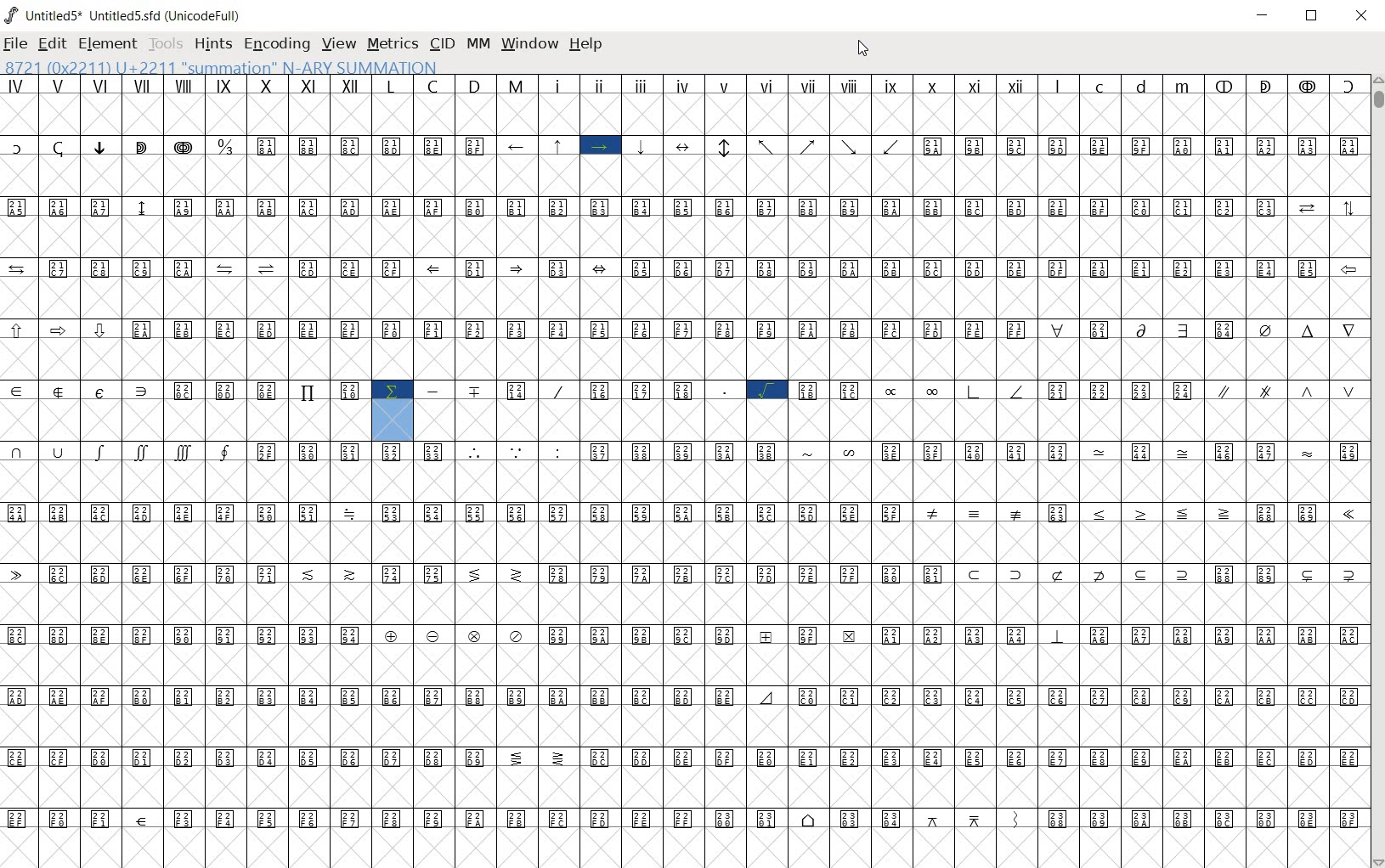 The height and width of the screenshot is (868, 1385). Describe the element at coordinates (684, 148) in the screenshot. I see `special symbols` at that location.